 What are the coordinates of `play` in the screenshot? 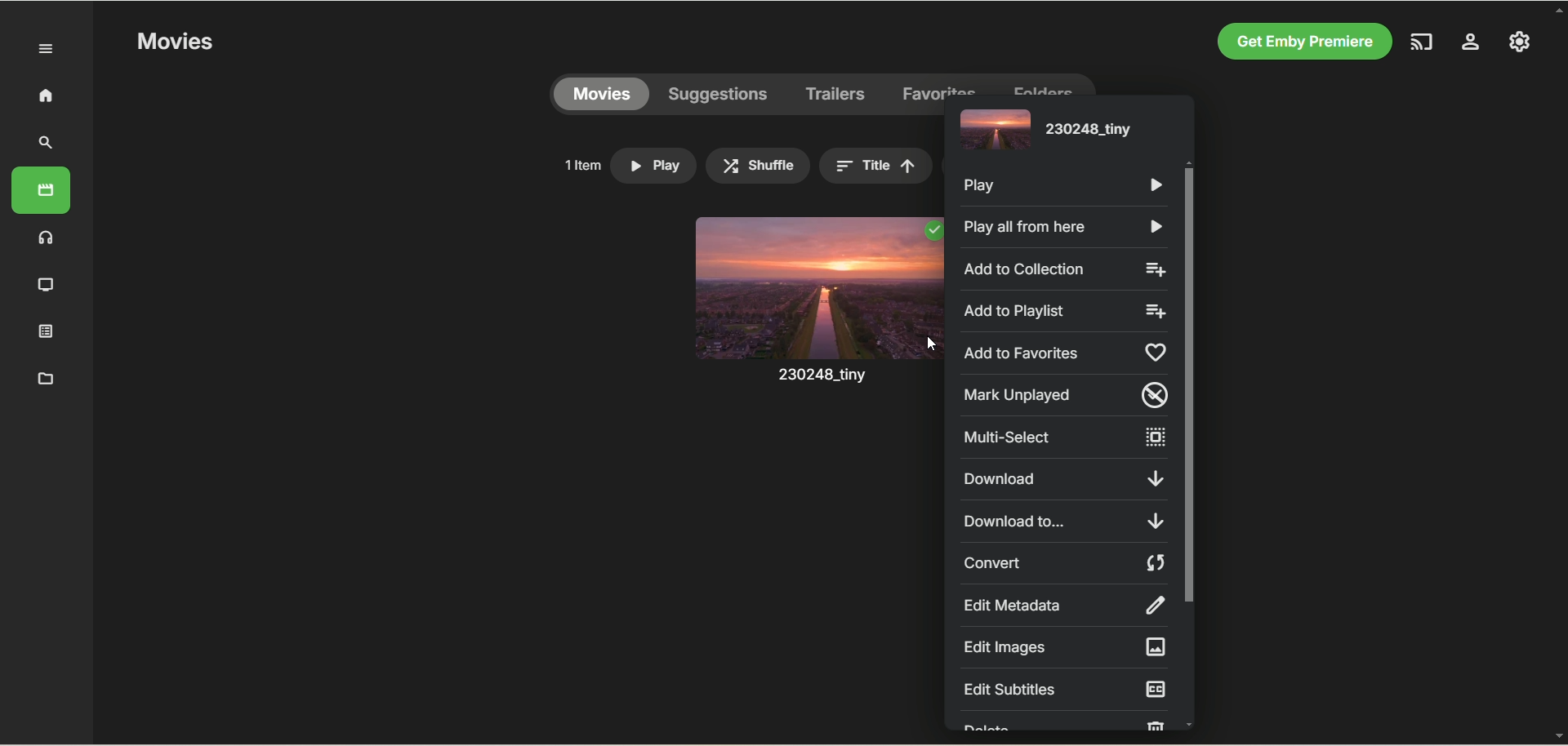 It's located at (1066, 187).